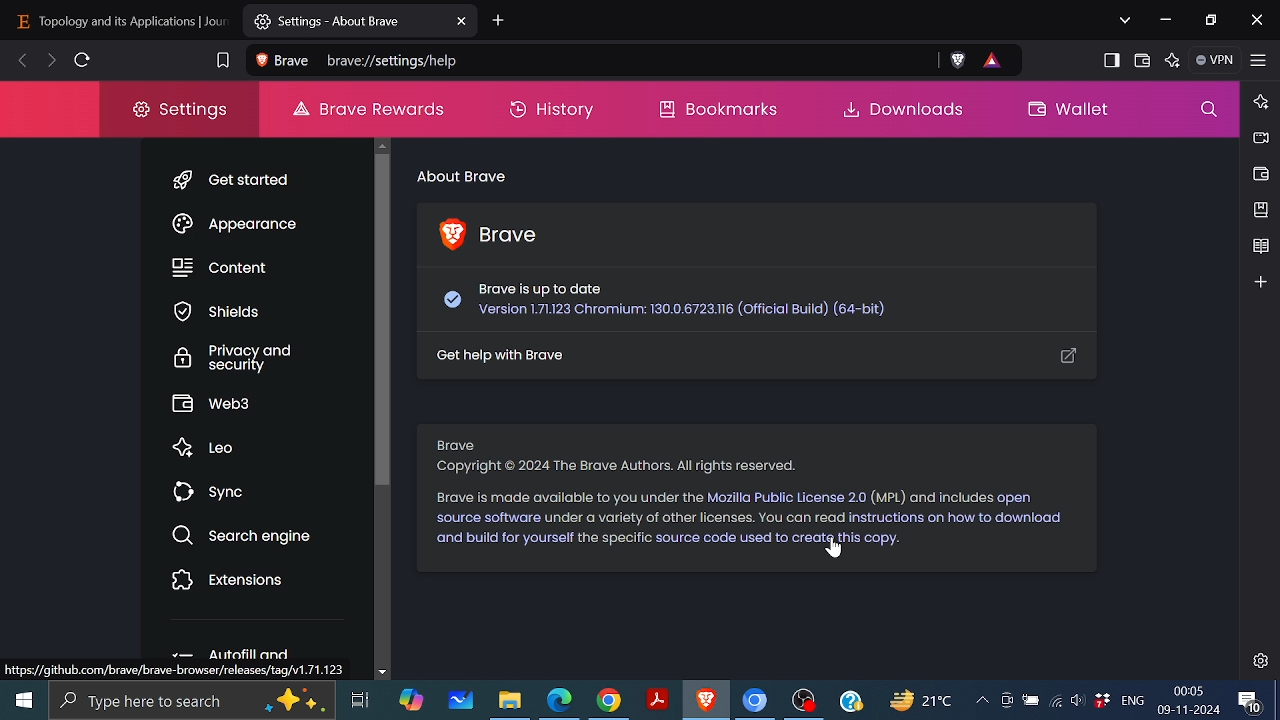 Image resolution: width=1280 pixels, height=720 pixels. I want to click on Bookmarks, so click(1259, 209).